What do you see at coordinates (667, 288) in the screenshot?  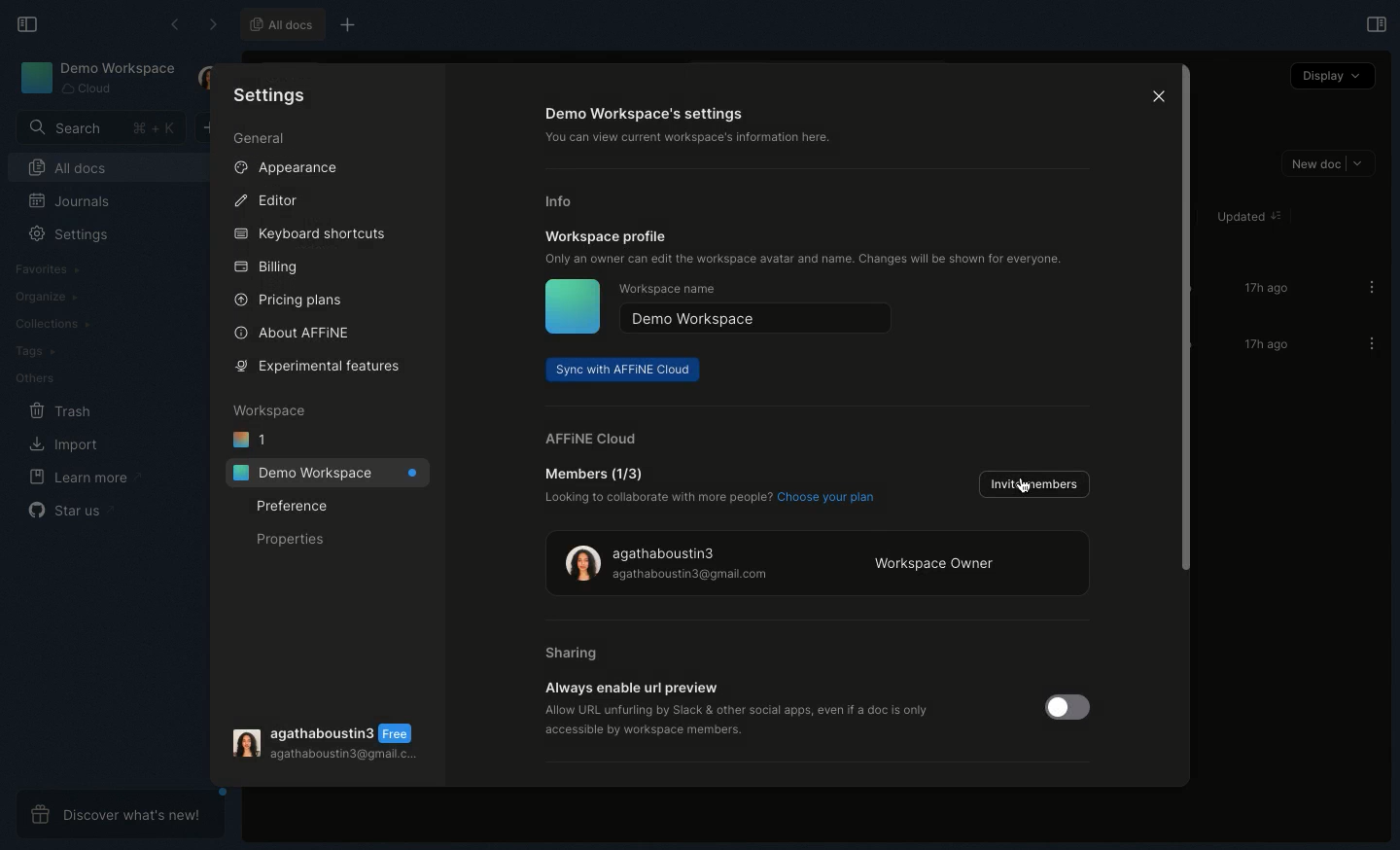 I see `Workspace name` at bounding box center [667, 288].